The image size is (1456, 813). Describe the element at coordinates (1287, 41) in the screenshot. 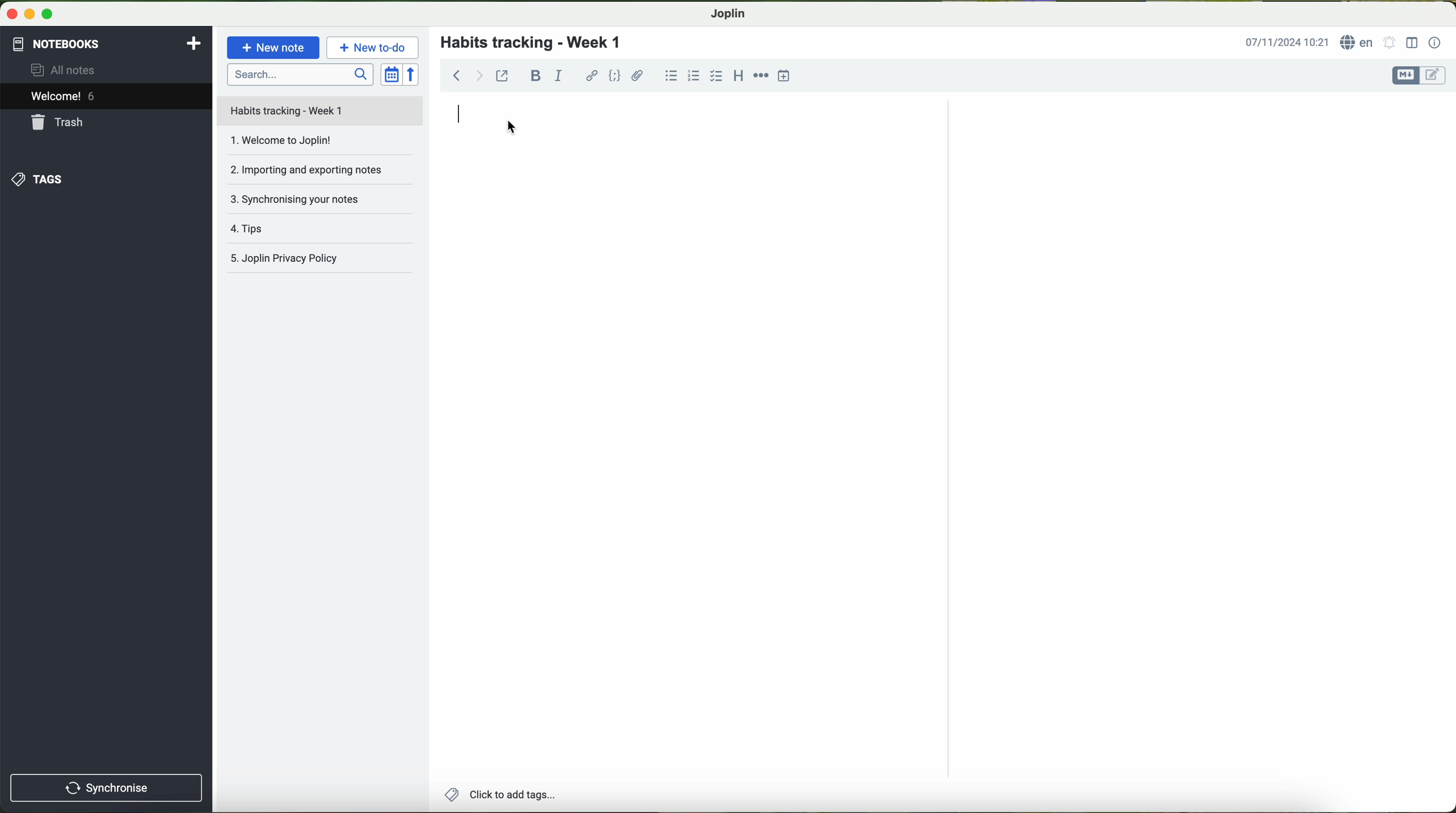

I see `date and hour` at that location.